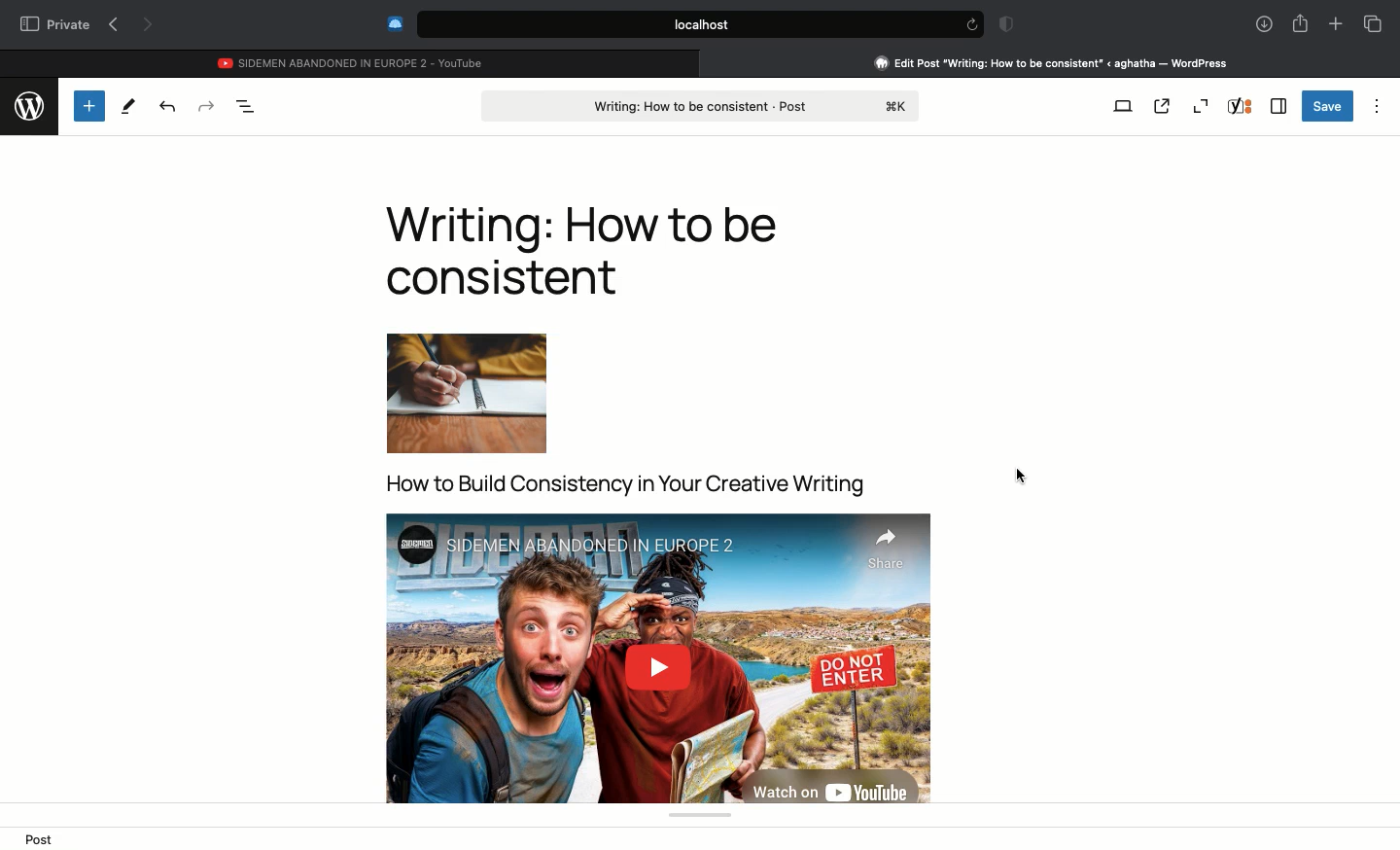  Describe the element at coordinates (1124, 104) in the screenshot. I see `View` at that location.